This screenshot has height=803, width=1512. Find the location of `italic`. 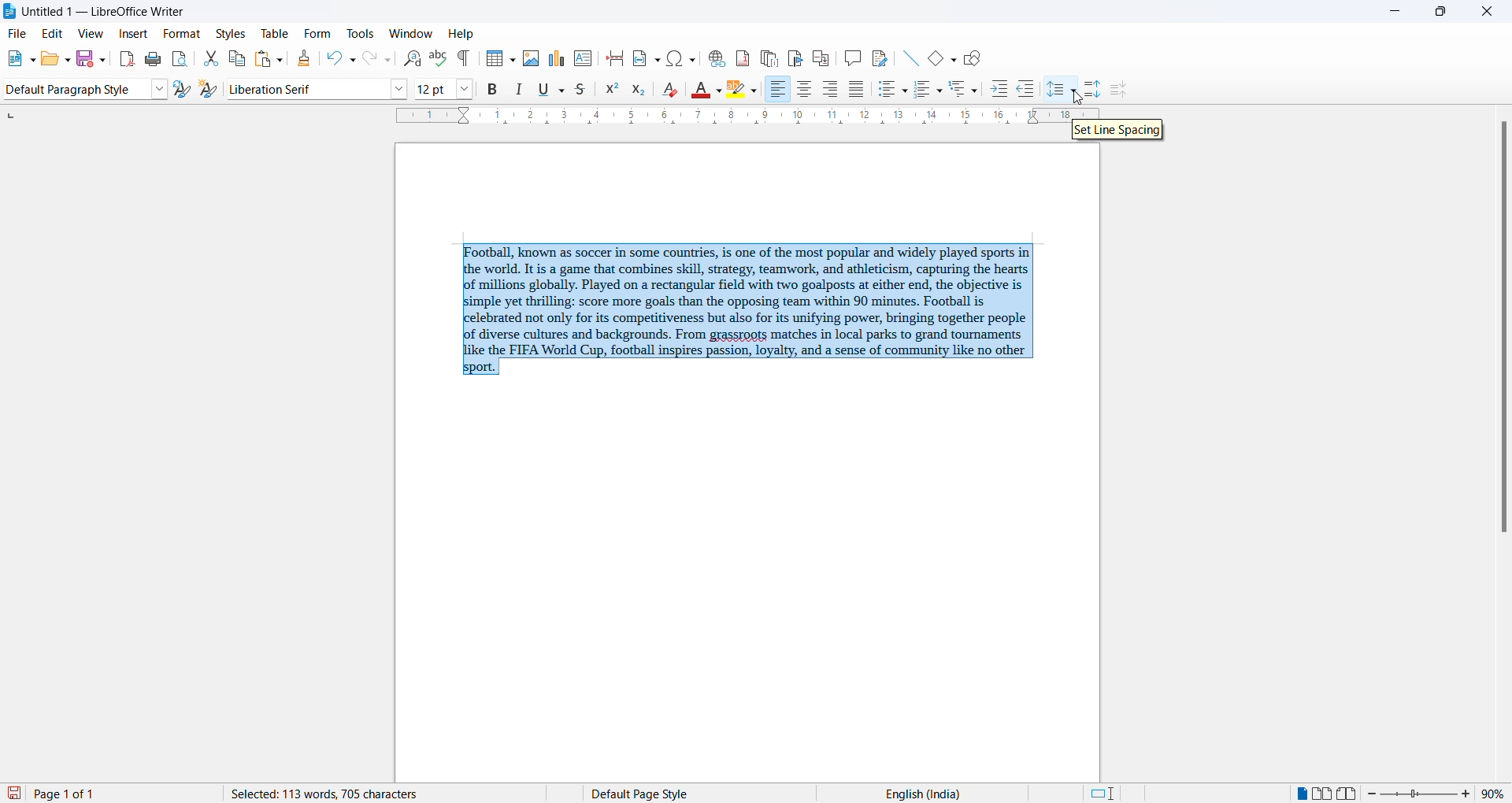

italic is located at coordinates (519, 87).